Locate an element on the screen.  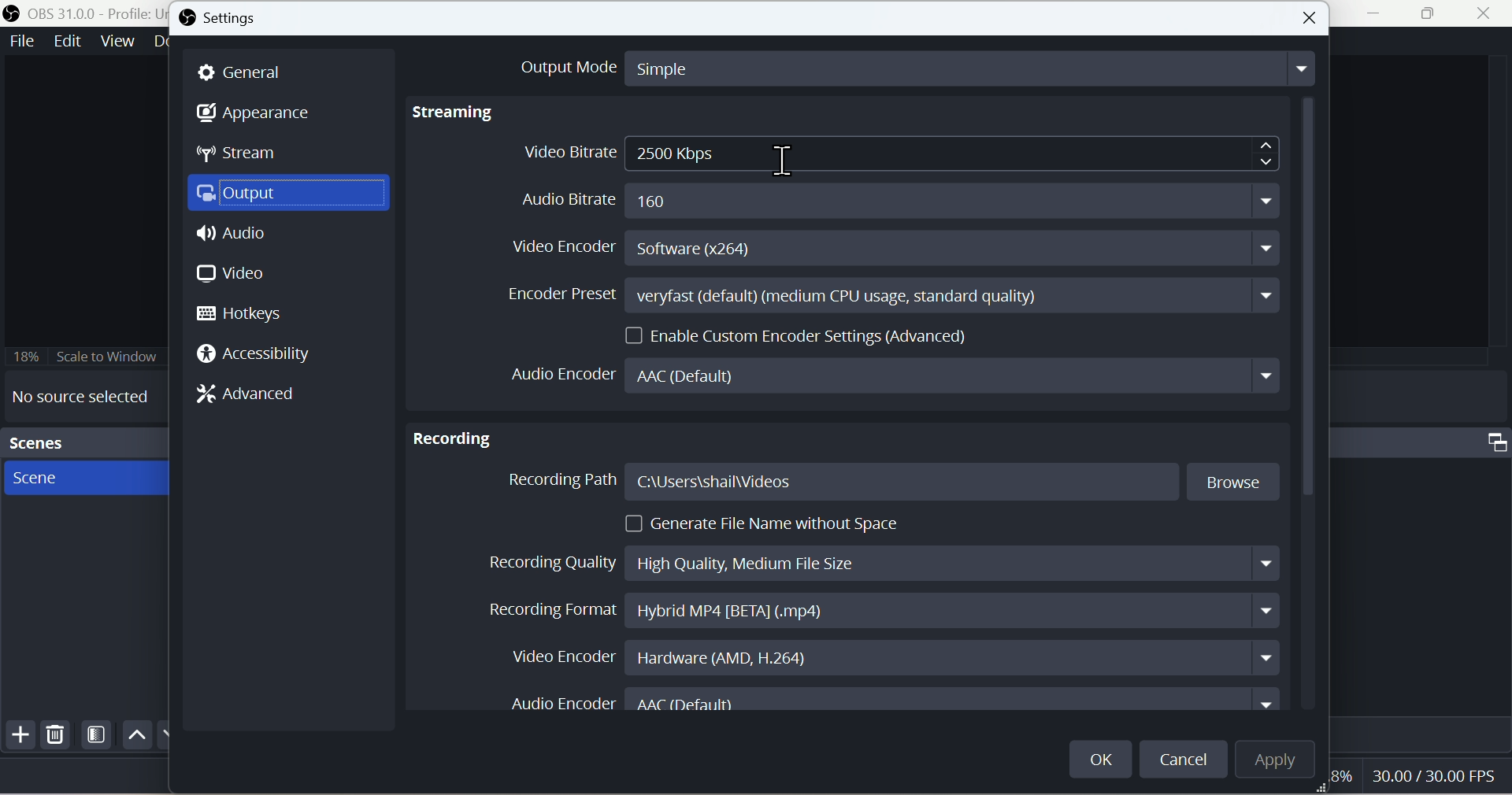
Video Encoder is located at coordinates (886, 656).